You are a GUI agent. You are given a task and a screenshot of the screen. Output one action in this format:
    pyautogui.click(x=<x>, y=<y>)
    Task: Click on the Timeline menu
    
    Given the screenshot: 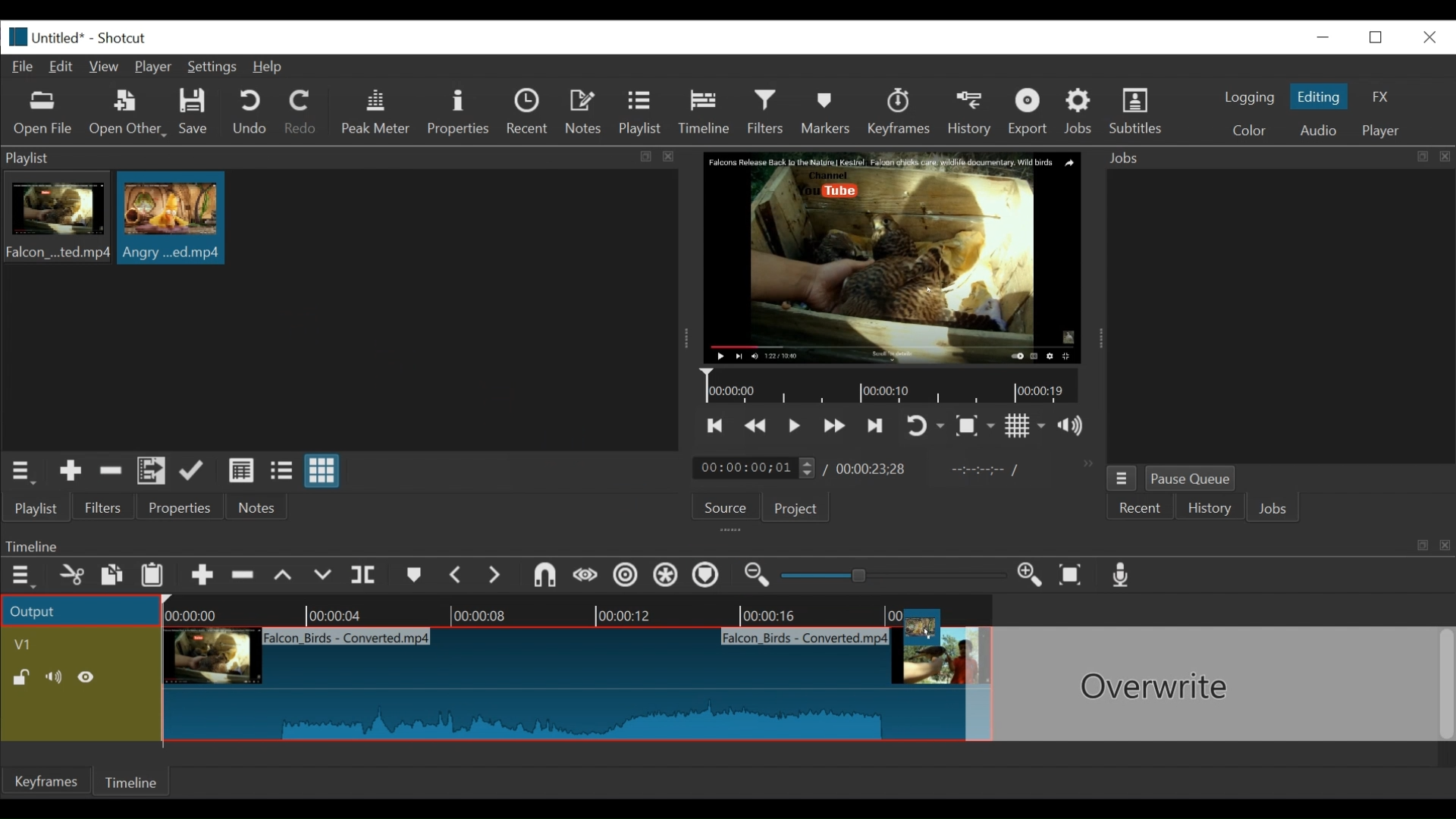 What is the action you would take?
    pyautogui.click(x=25, y=576)
    